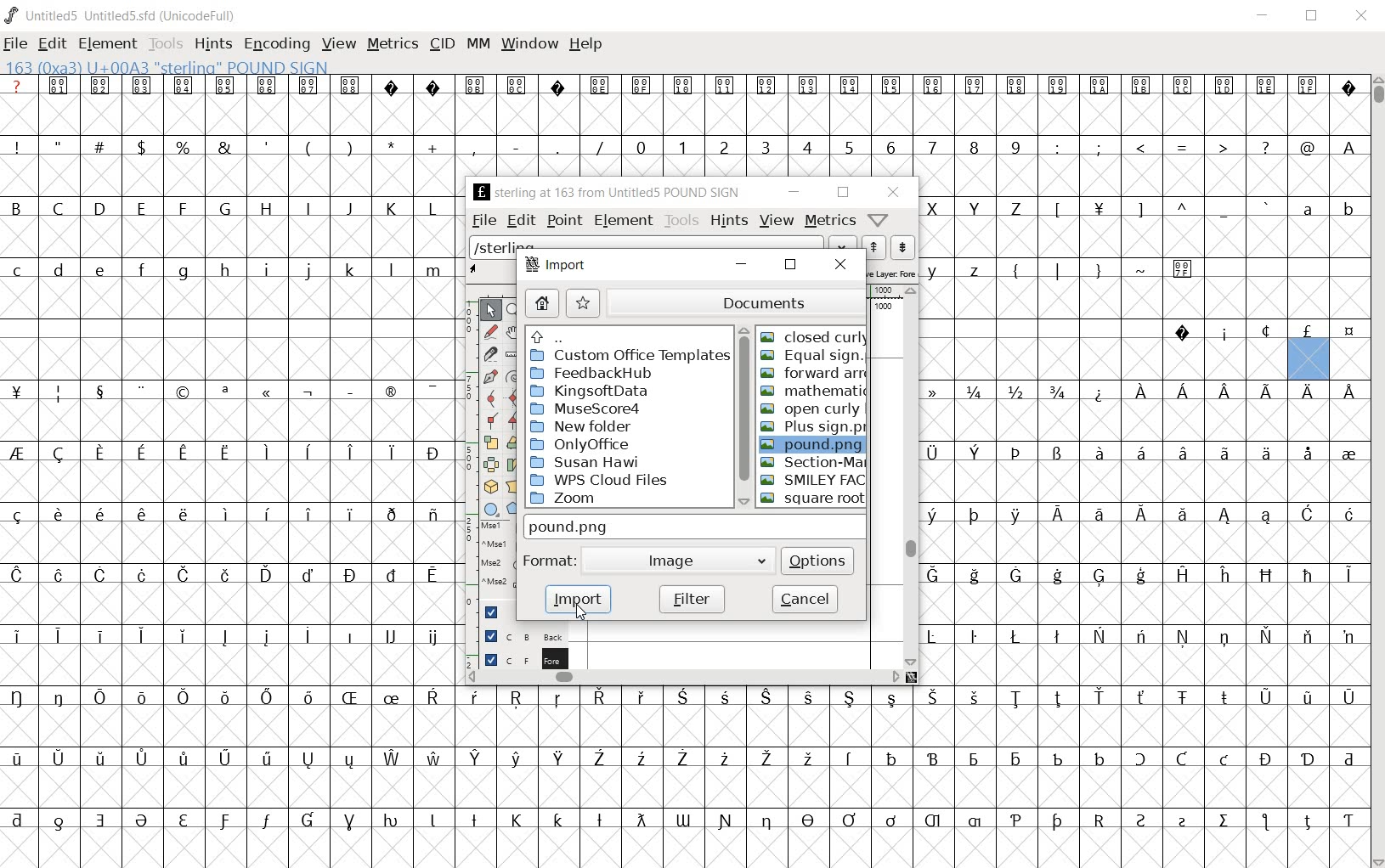 The width and height of the screenshot is (1385, 868). Describe the element at coordinates (974, 576) in the screenshot. I see `Symbol` at that location.